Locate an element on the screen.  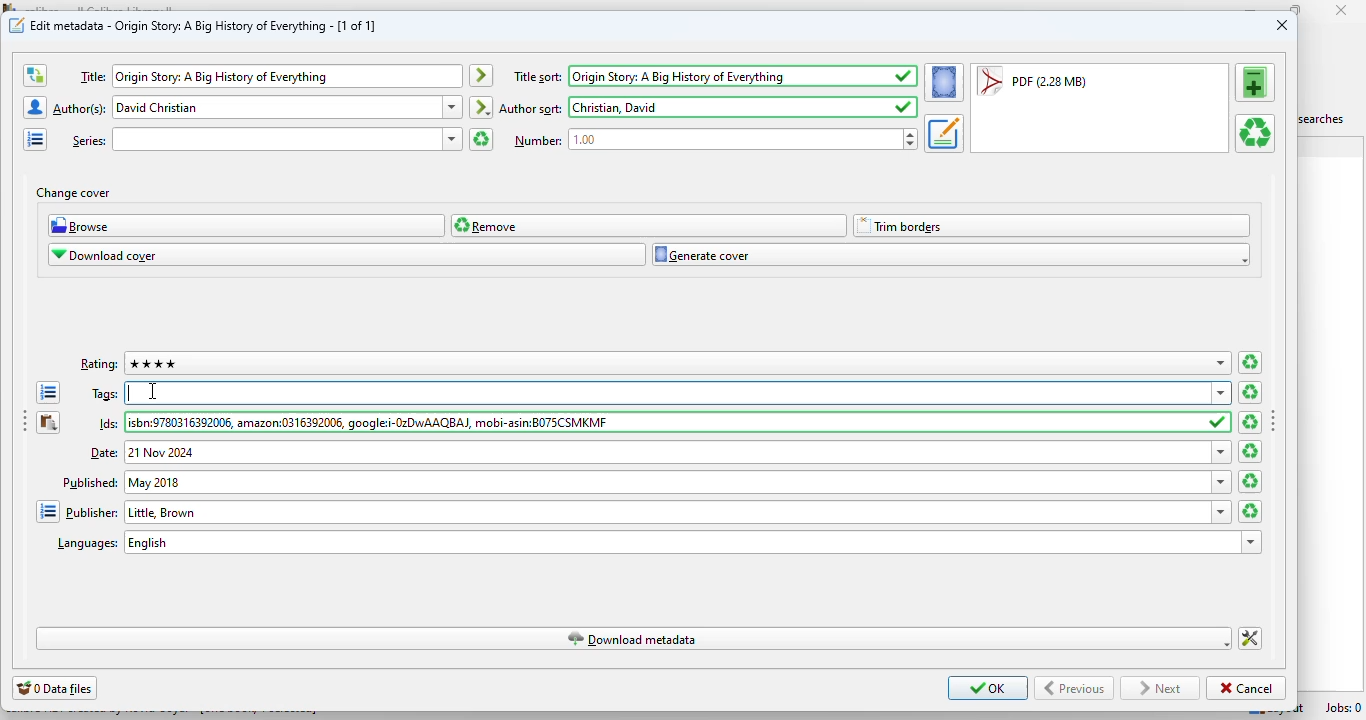
download metadata is located at coordinates (632, 639).